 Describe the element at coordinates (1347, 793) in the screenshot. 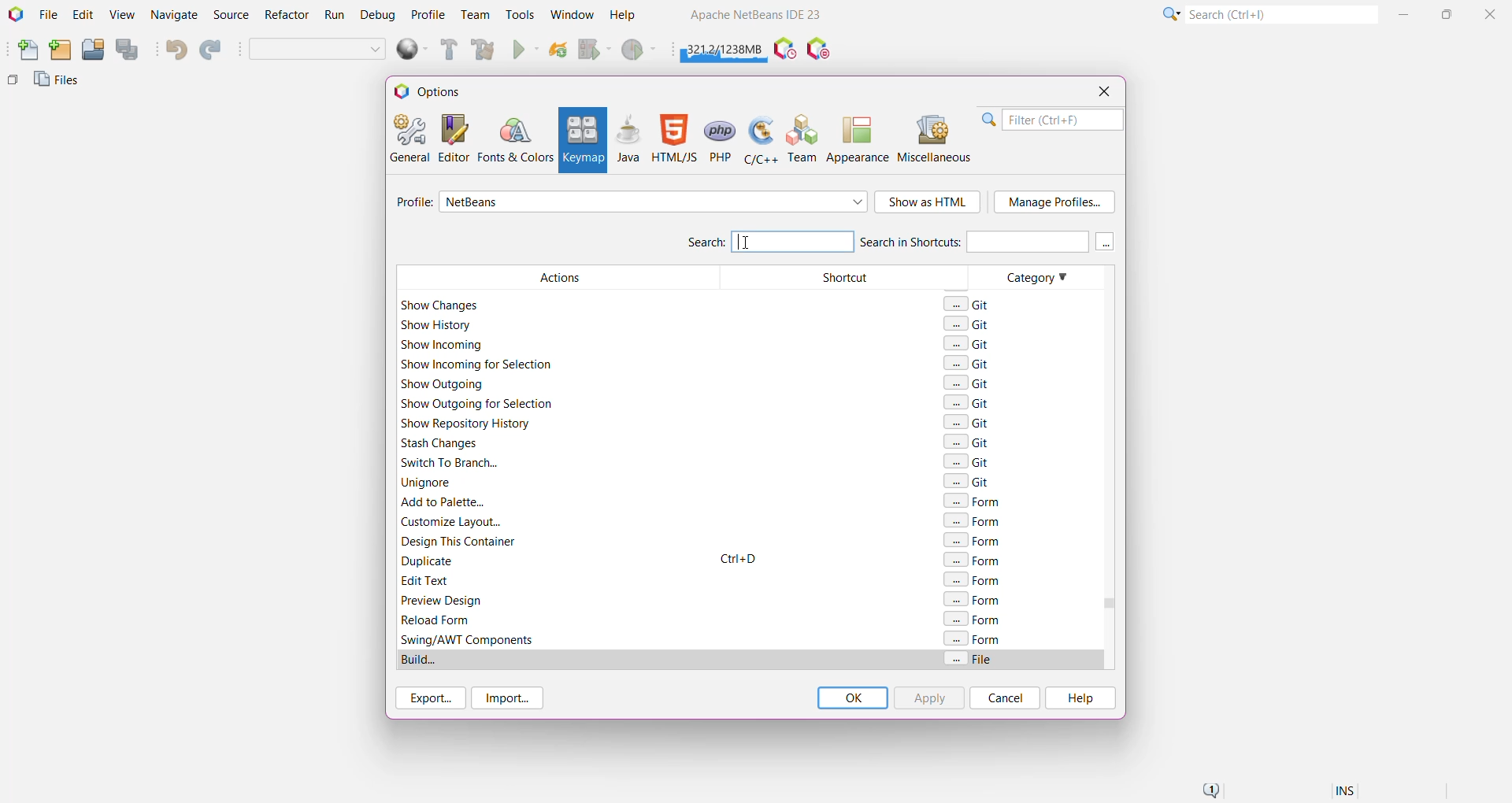

I see `Insert Mode` at that location.